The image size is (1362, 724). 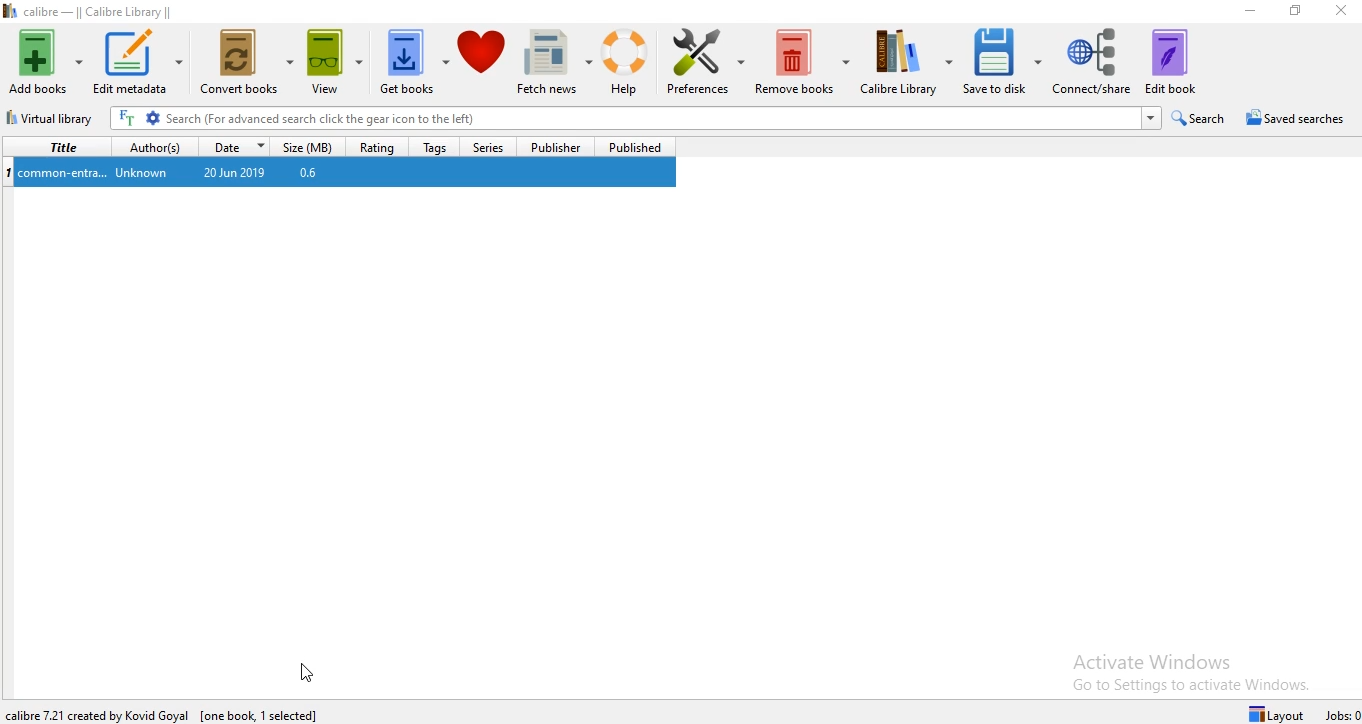 What do you see at coordinates (1295, 11) in the screenshot?
I see `Restore` at bounding box center [1295, 11].